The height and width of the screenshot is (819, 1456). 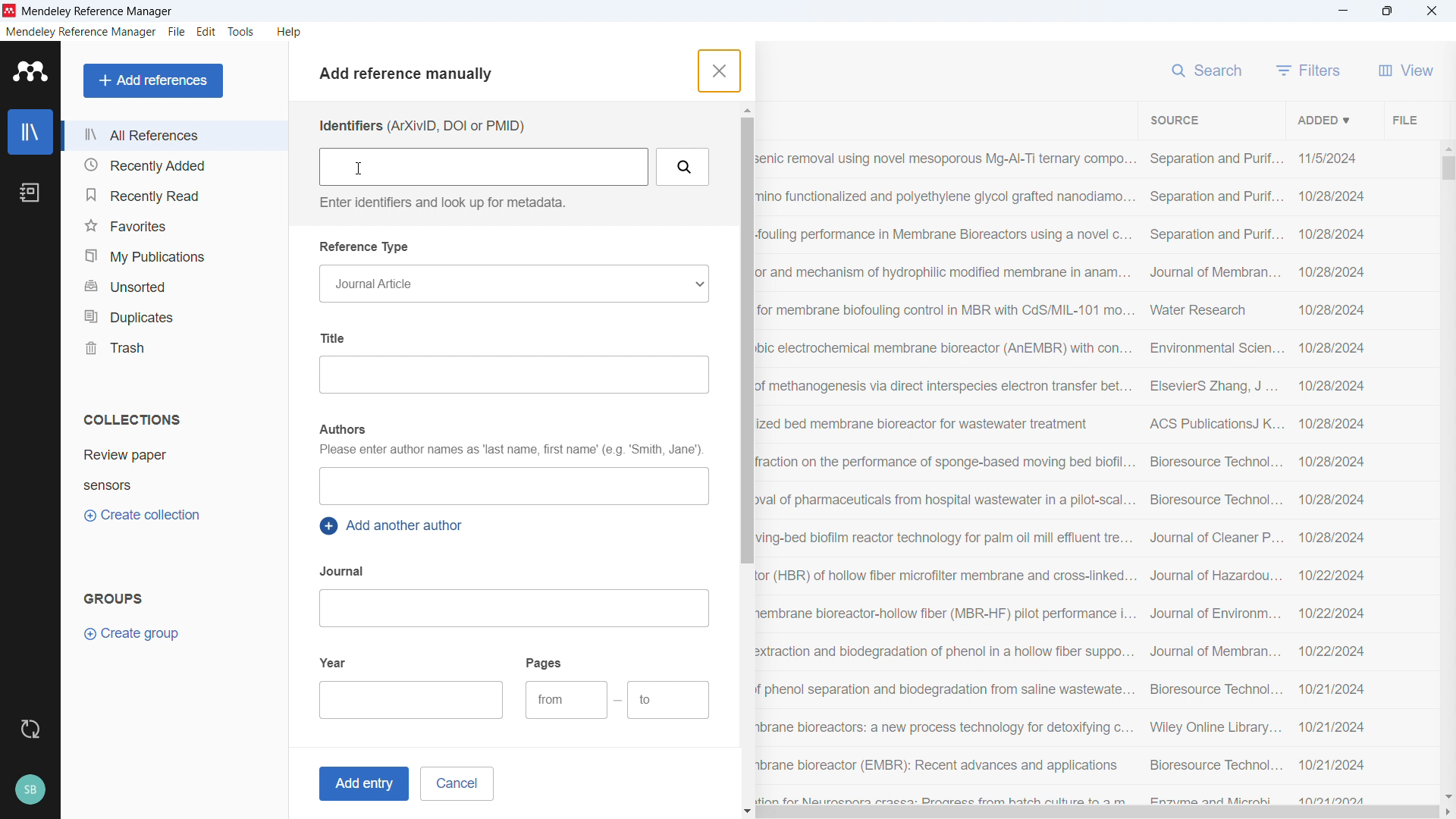 What do you see at coordinates (545, 662) in the screenshot?
I see `pages` at bounding box center [545, 662].